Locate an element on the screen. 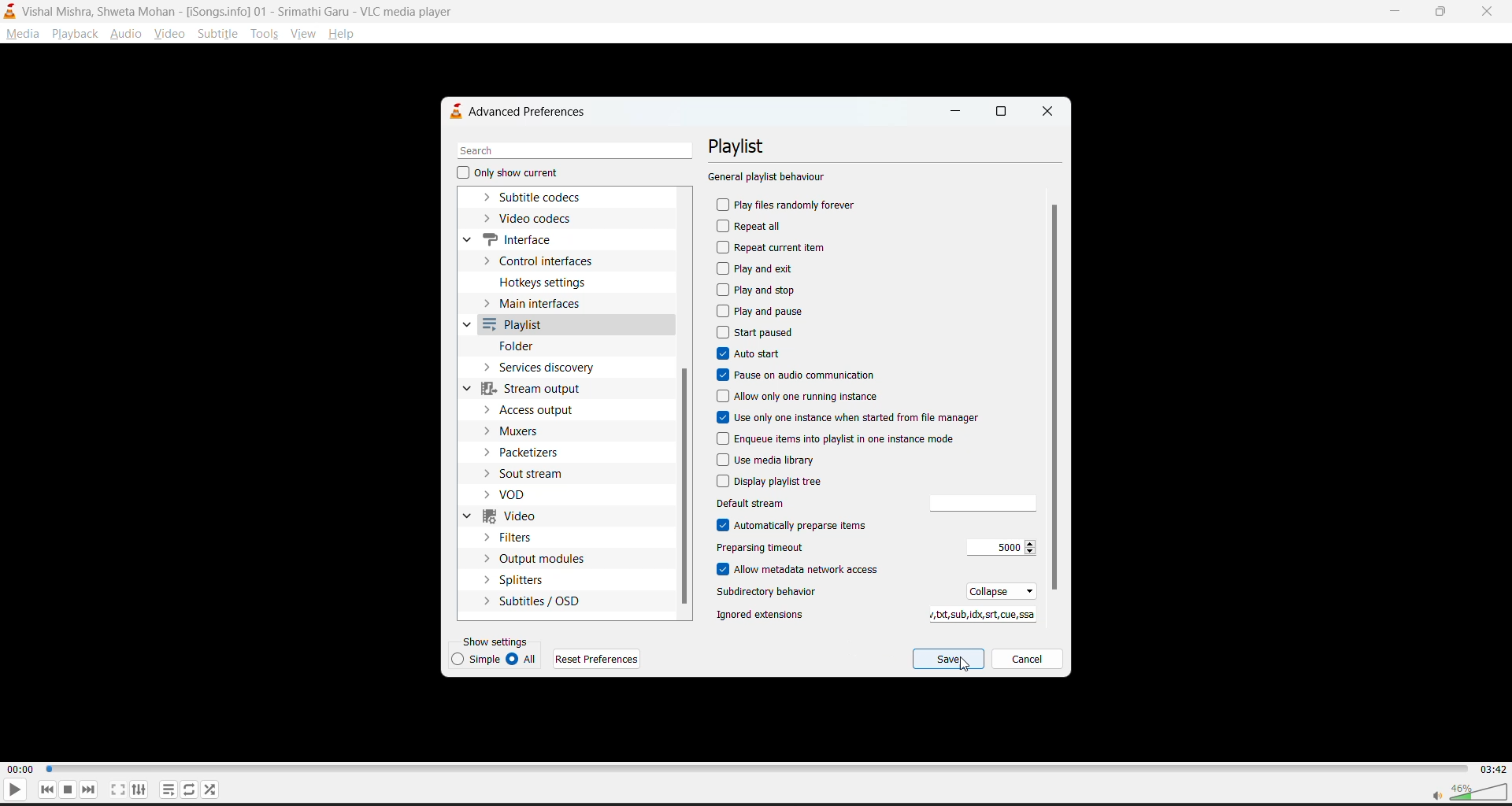 This screenshot has height=806, width=1512. sout stream is located at coordinates (534, 475).